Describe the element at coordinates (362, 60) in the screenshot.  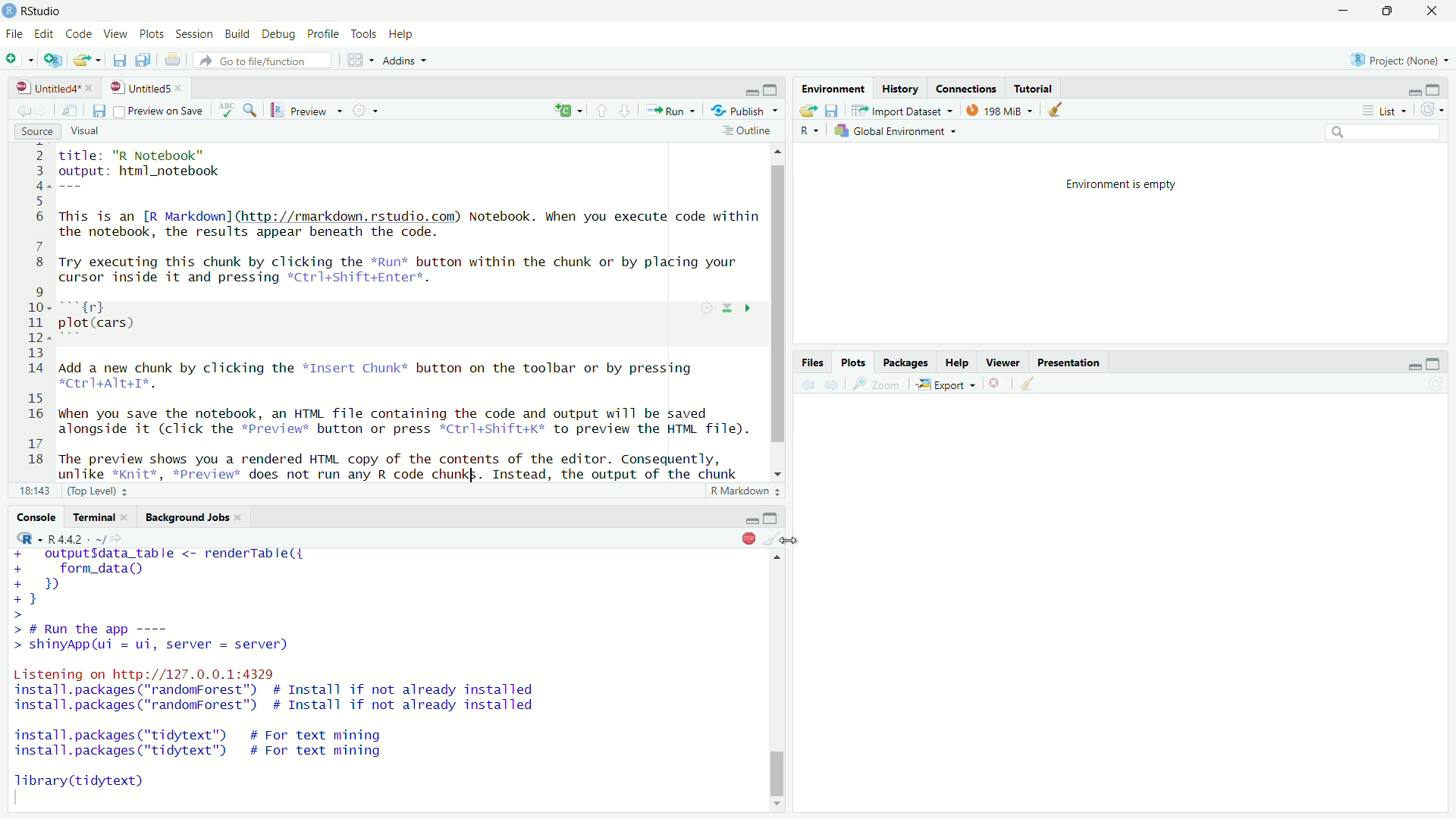
I see `workspace panes` at that location.